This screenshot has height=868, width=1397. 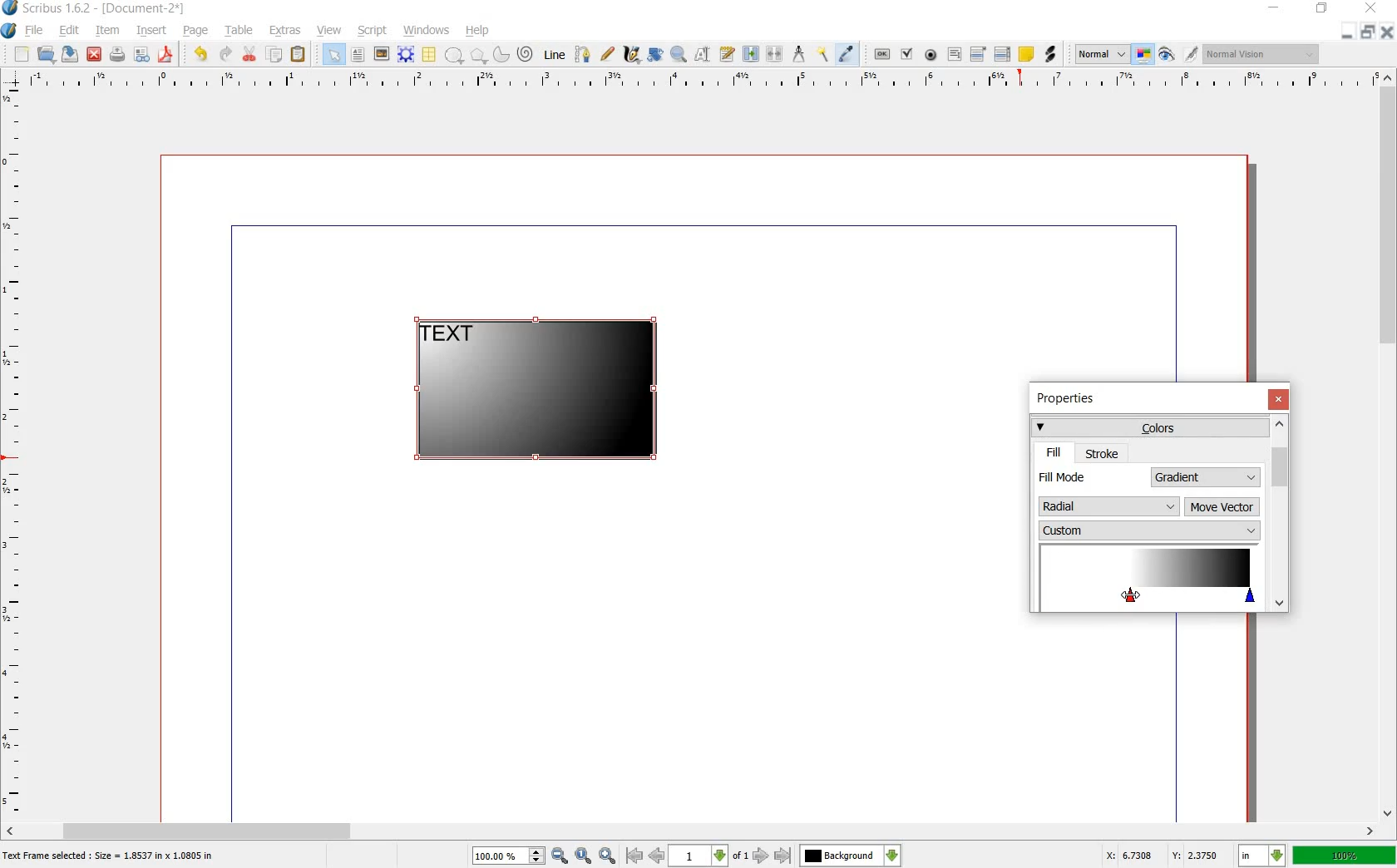 I want to click on close, so click(x=1278, y=399).